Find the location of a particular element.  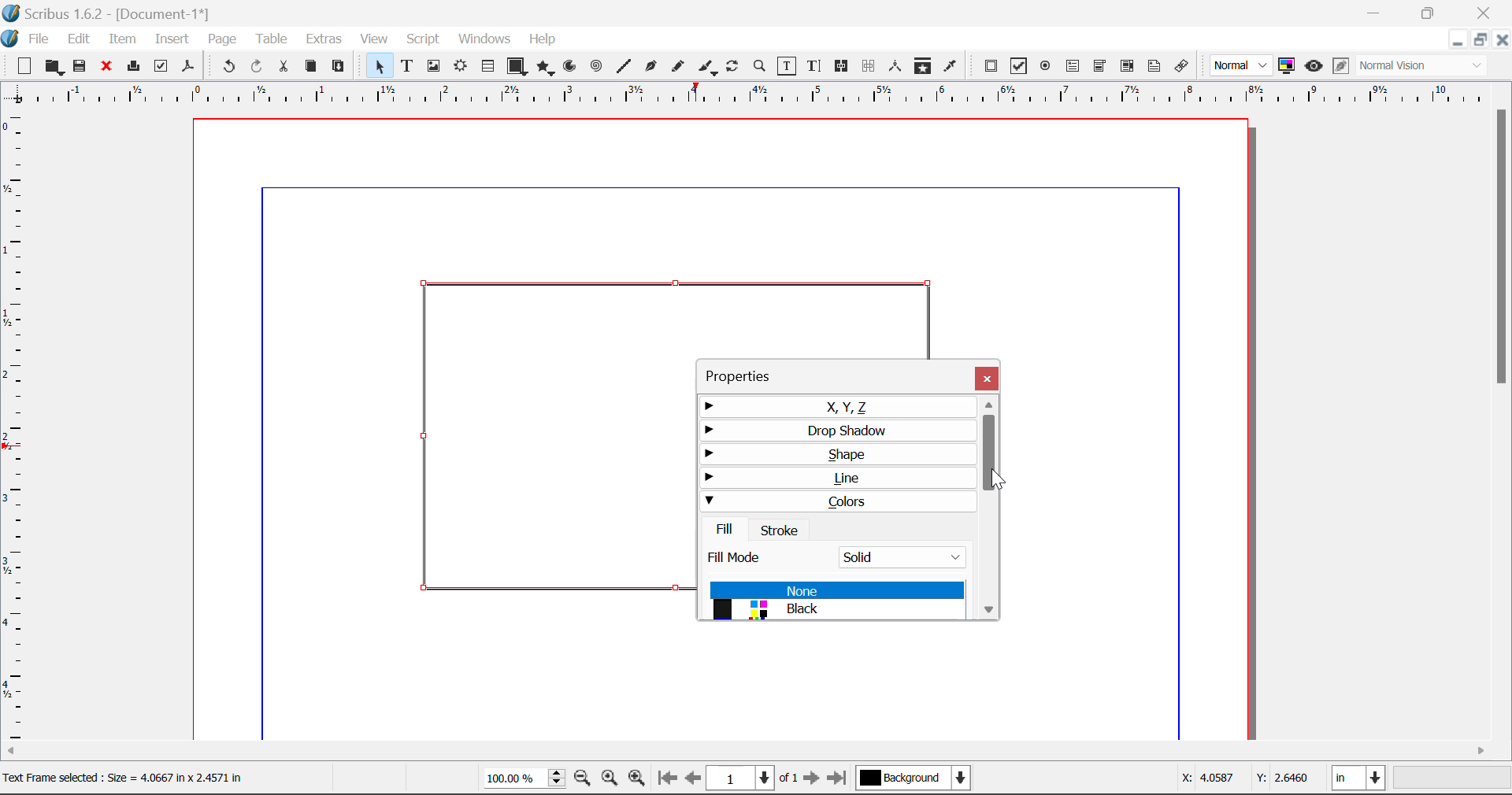

Zoom to 100% is located at coordinates (610, 780).